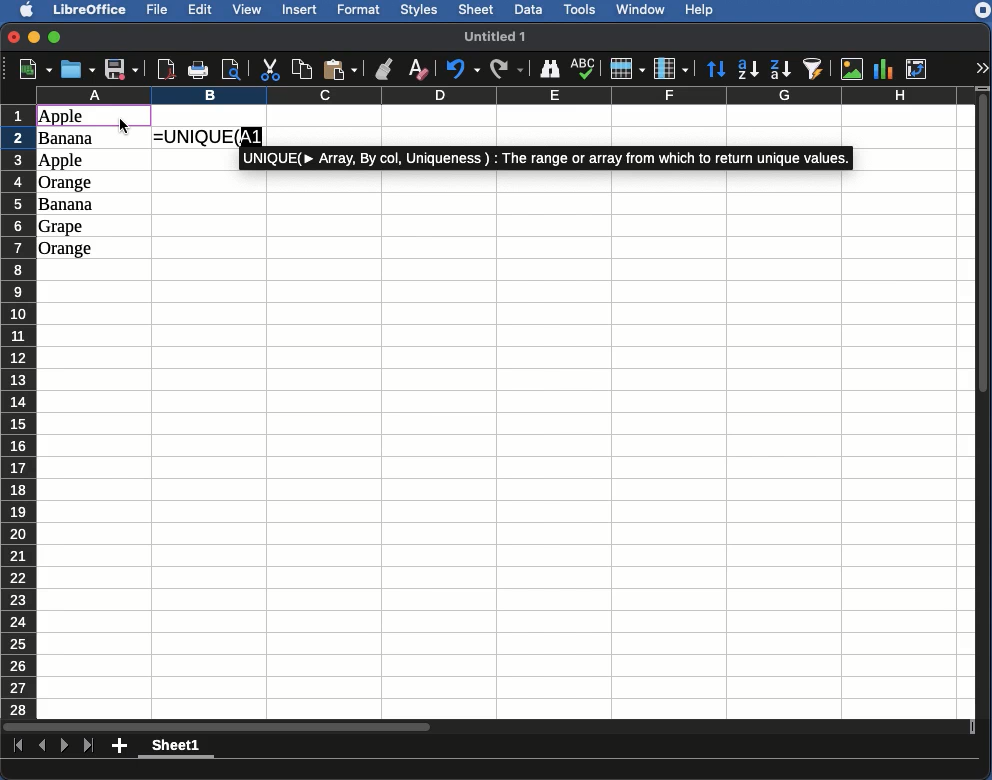  Describe the element at coordinates (671, 68) in the screenshot. I see `Column` at that location.